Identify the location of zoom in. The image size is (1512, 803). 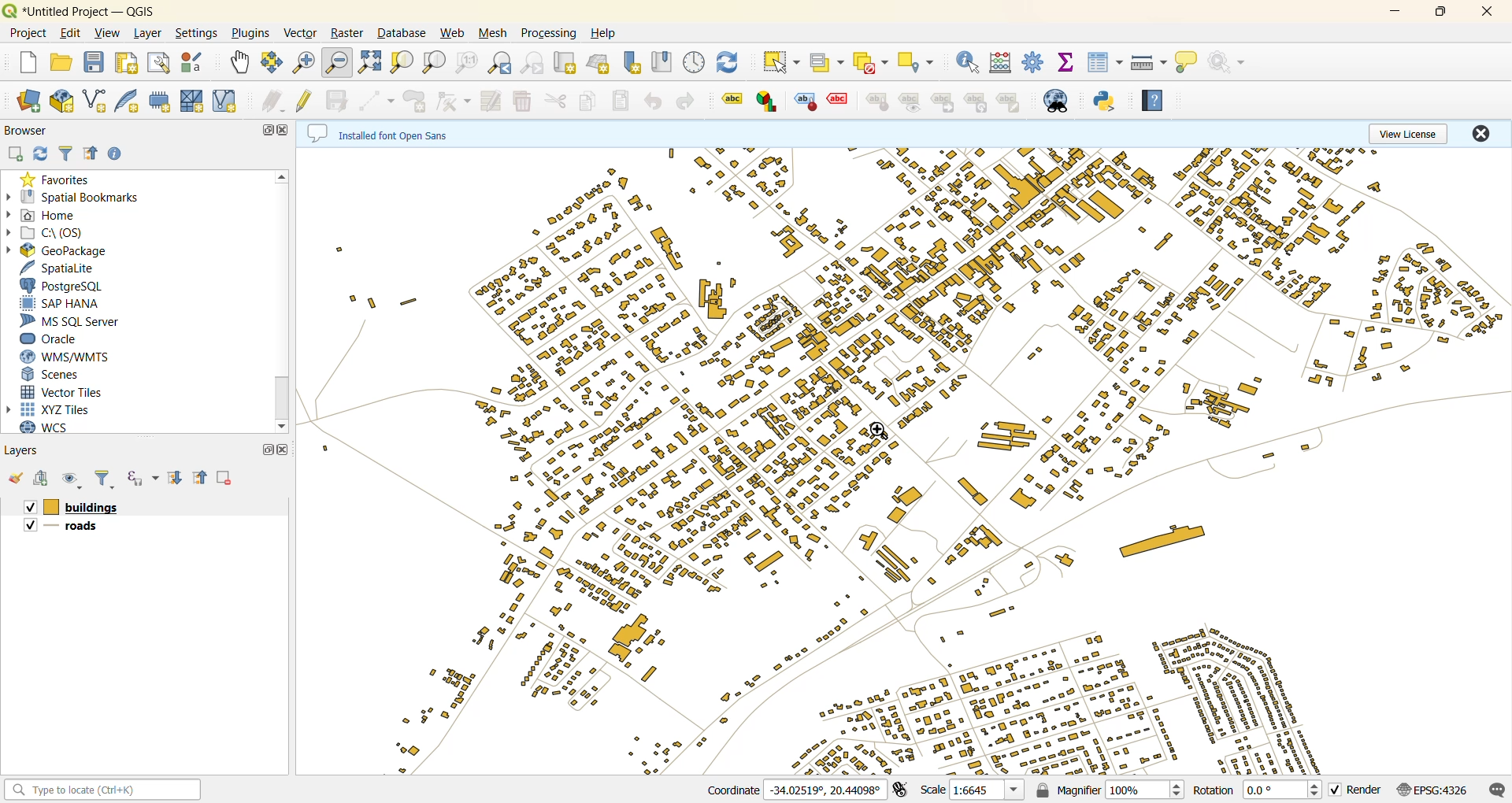
(308, 62).